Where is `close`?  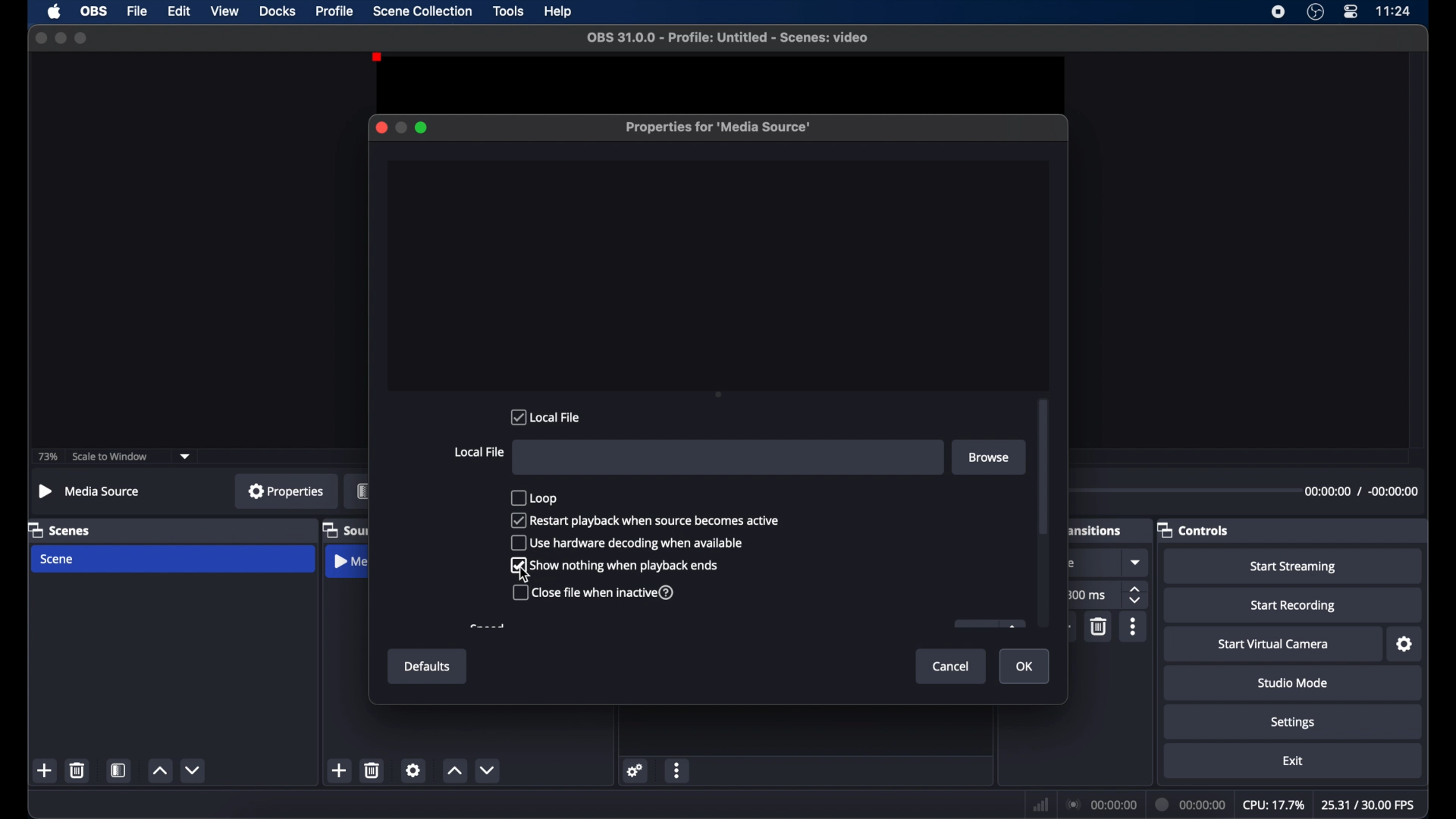
close is located at coordinates (381, 127).